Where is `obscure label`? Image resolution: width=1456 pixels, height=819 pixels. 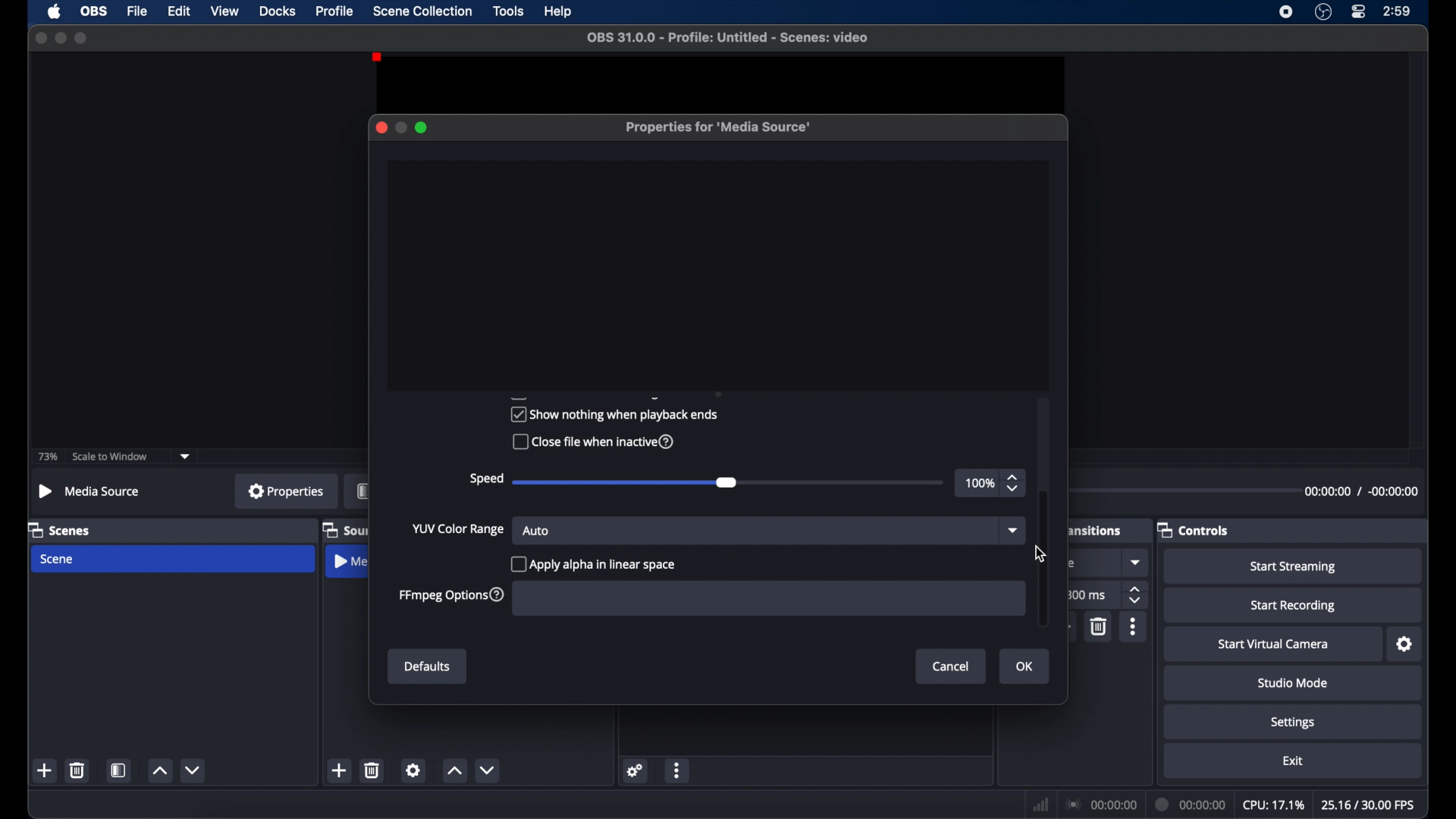 obscure label is located at coordinates (351, 561).